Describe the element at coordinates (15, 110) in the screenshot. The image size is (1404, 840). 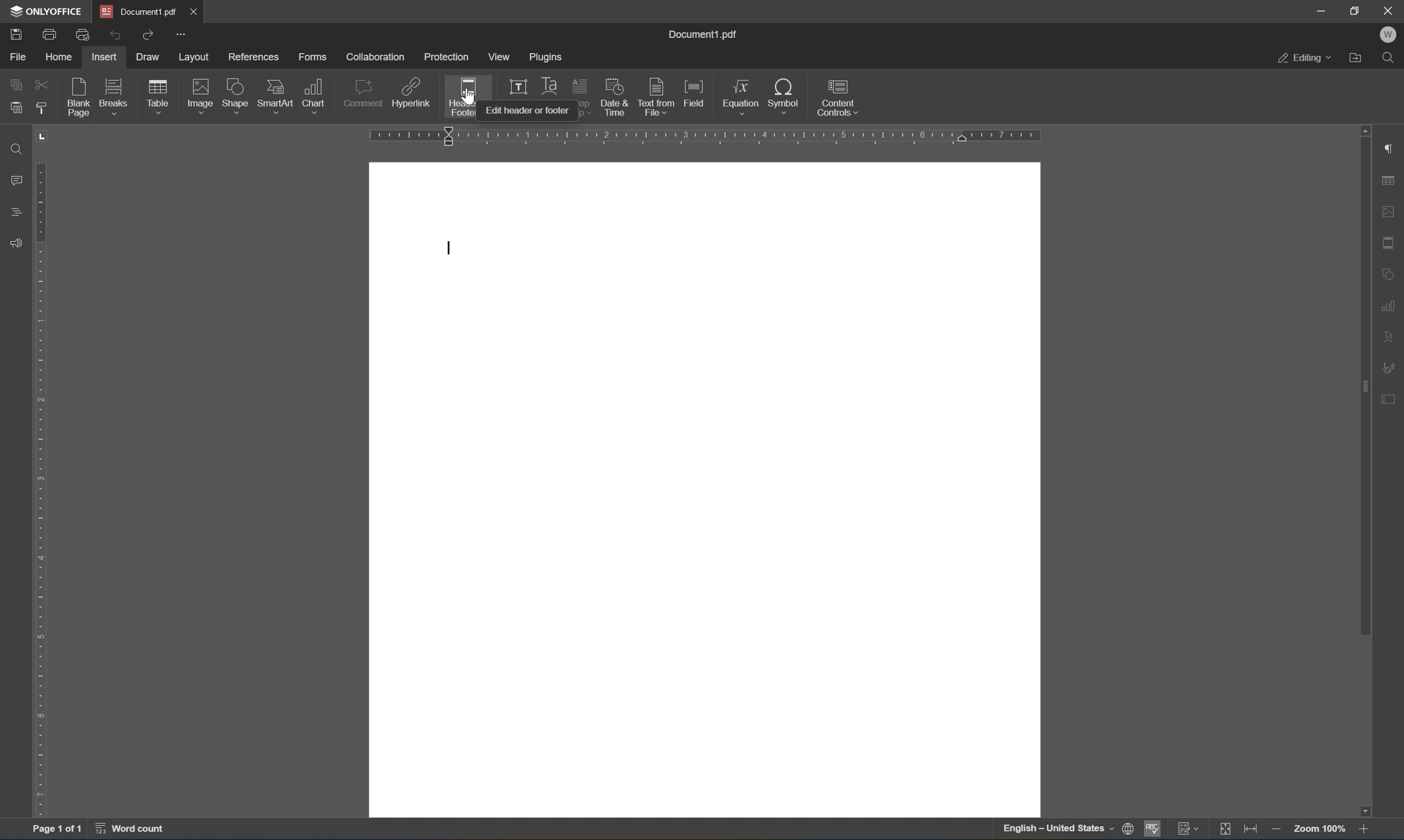
I see `paste` at that location.